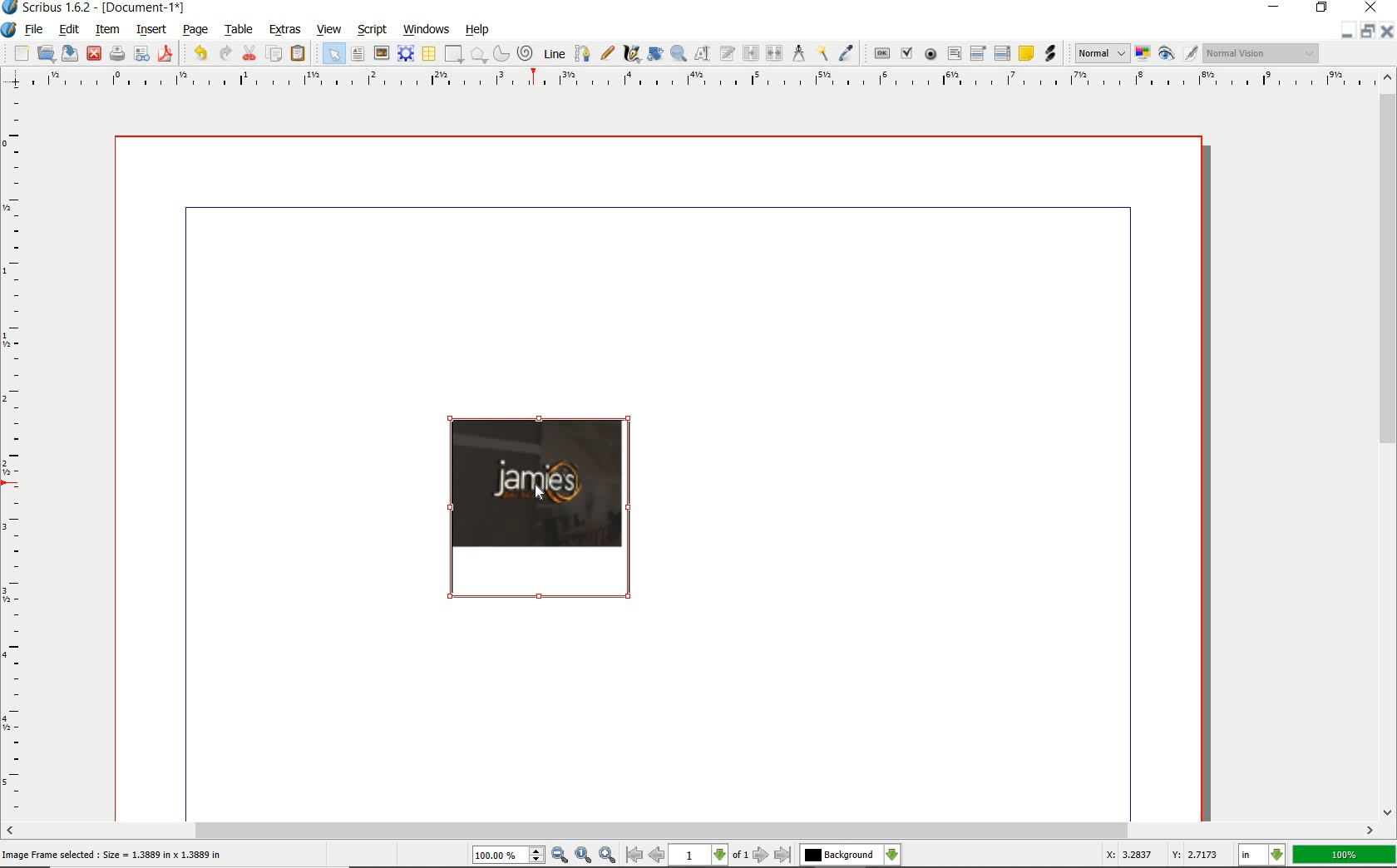 This screenshot has width=1397, height=868. Describe the element at coordinates (544, 855) in the screenshot. I see `zoom in/zoom to/zoom out` at that location.